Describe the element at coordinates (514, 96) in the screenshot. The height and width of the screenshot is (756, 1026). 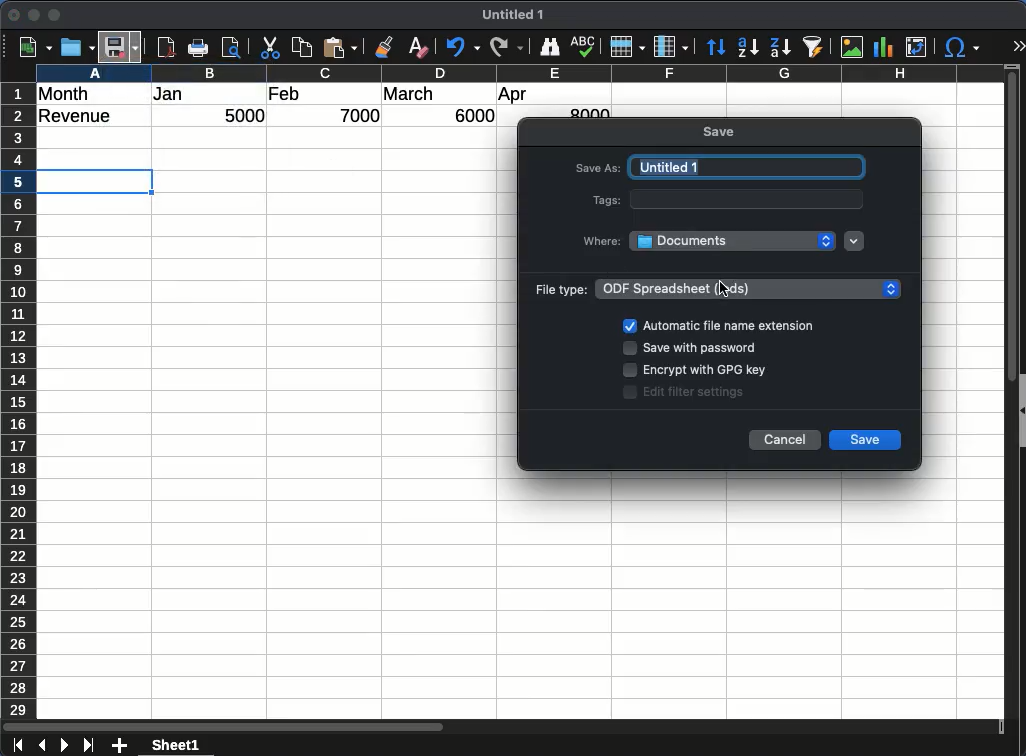
I see `apr` at that location.